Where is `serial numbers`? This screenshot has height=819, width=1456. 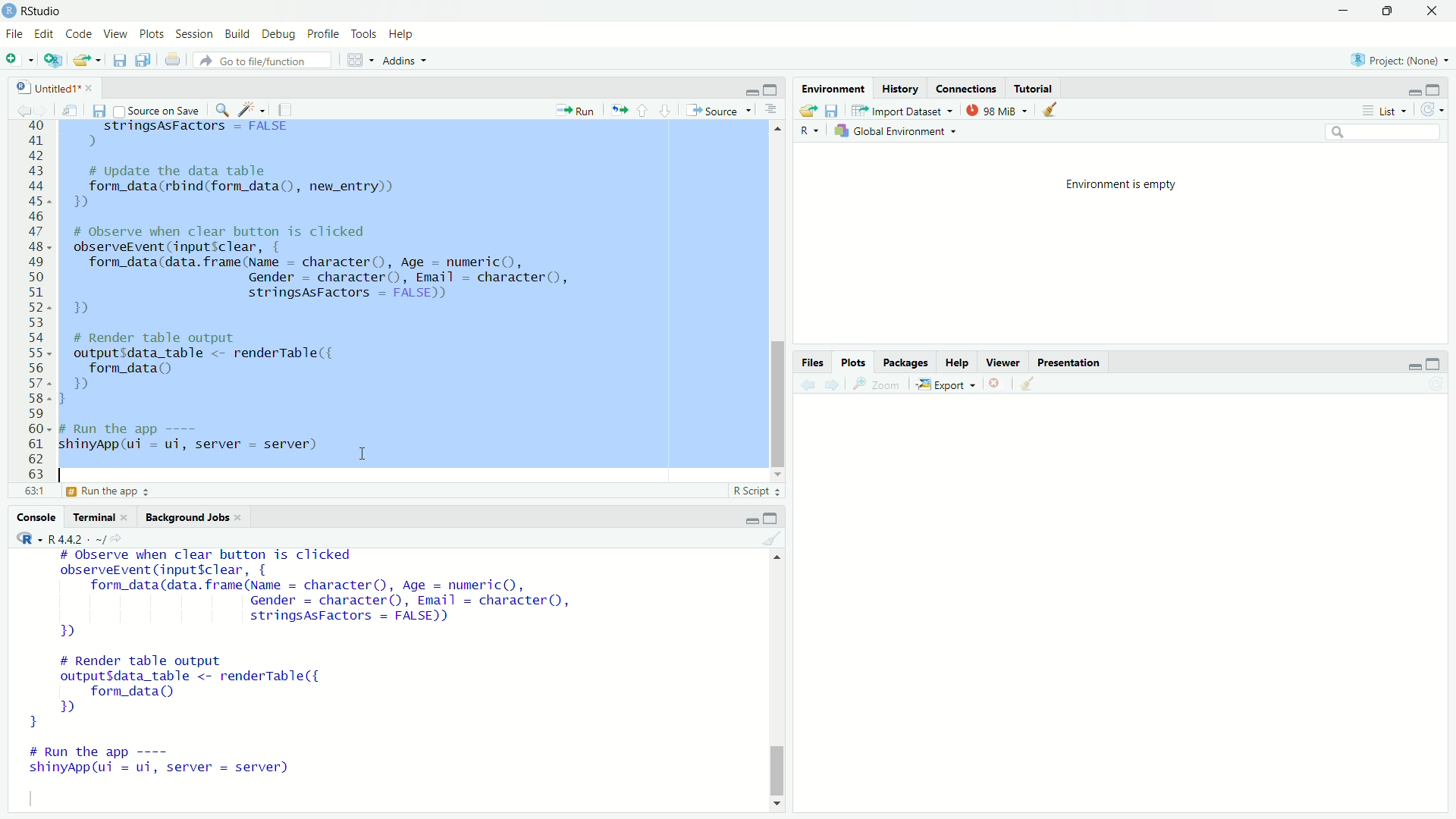 serial numbers is located at coordinates (33, 303).